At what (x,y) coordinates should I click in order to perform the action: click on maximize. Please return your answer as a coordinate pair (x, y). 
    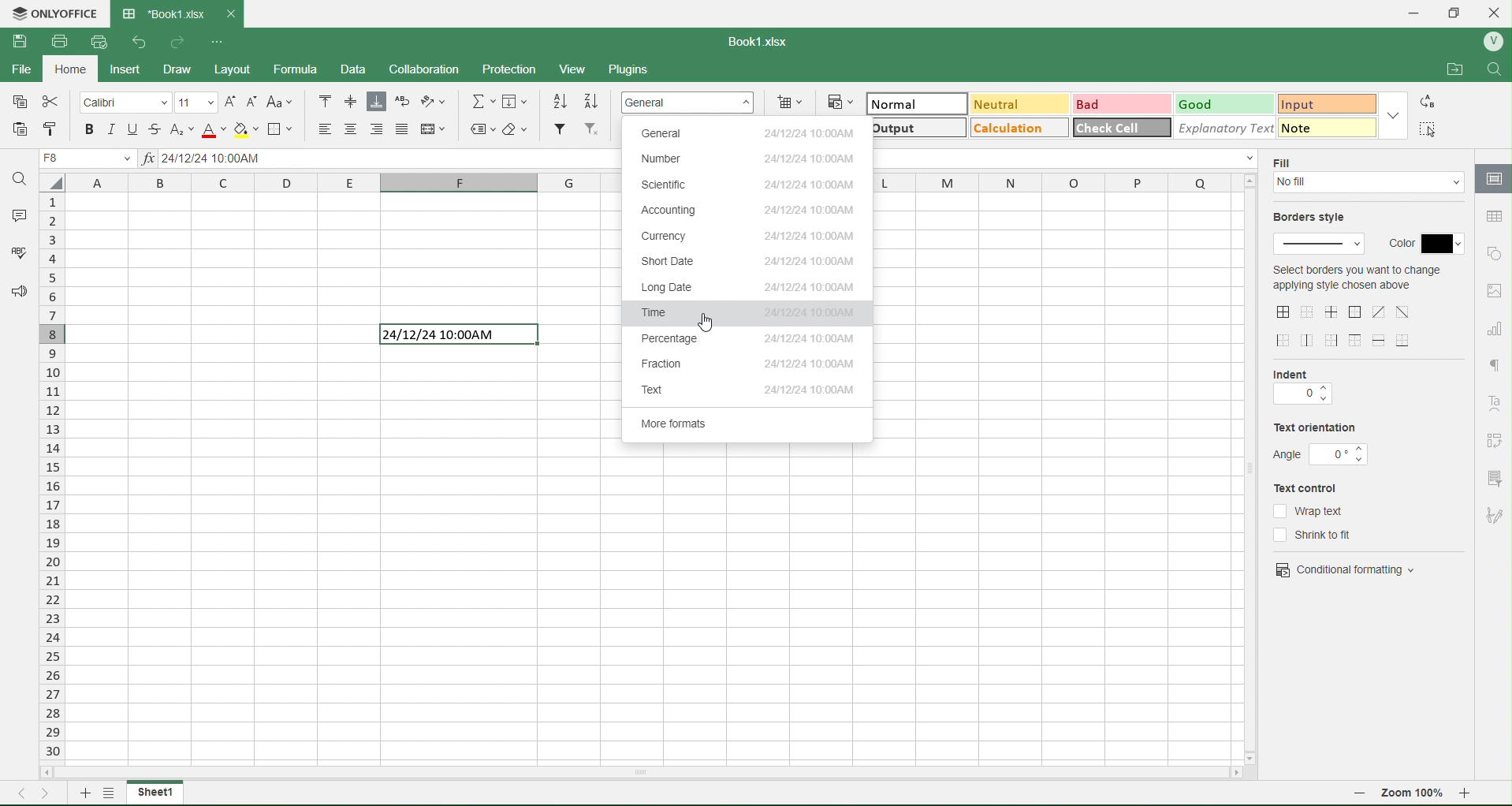
    Looking at the image, I should click on (1460, 11).